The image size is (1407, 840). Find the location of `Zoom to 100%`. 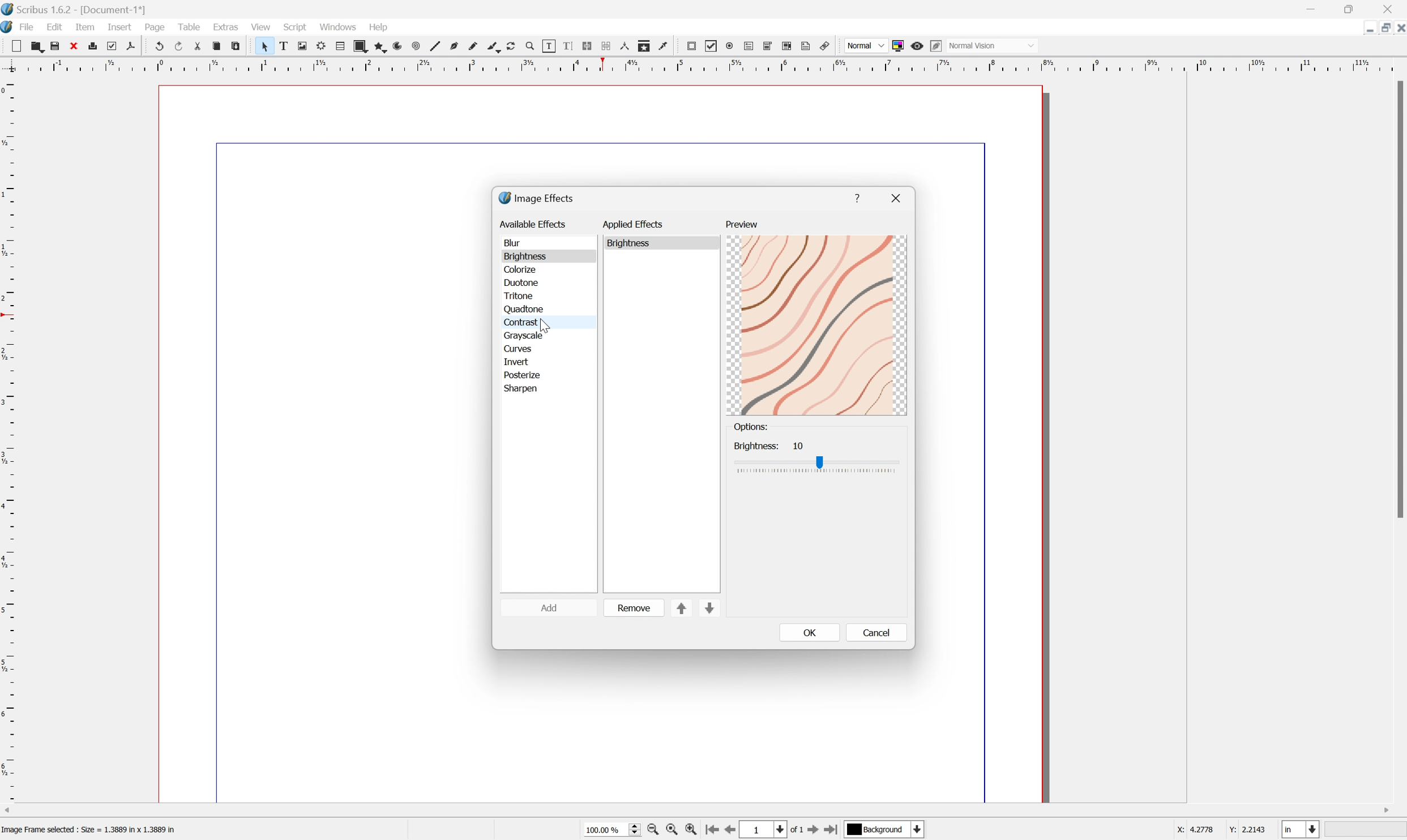

Zoom to 100% is located at coordinates (674, 830).